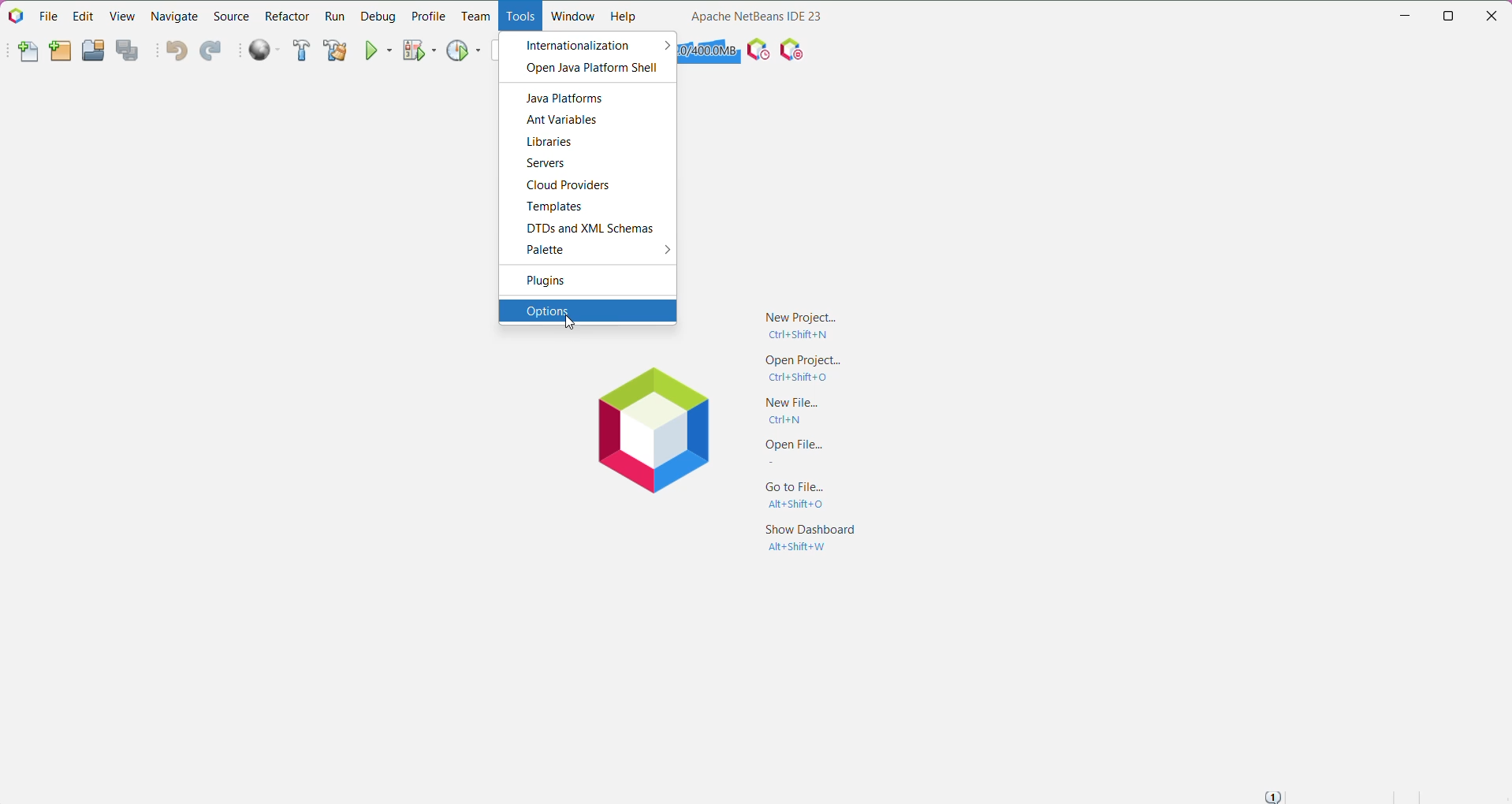 This screenshot has height=804, width=1512. What do you see at coordinates (658, 431) in the screenshot?
I see `Application Logo` at bounding box center [658, 431].